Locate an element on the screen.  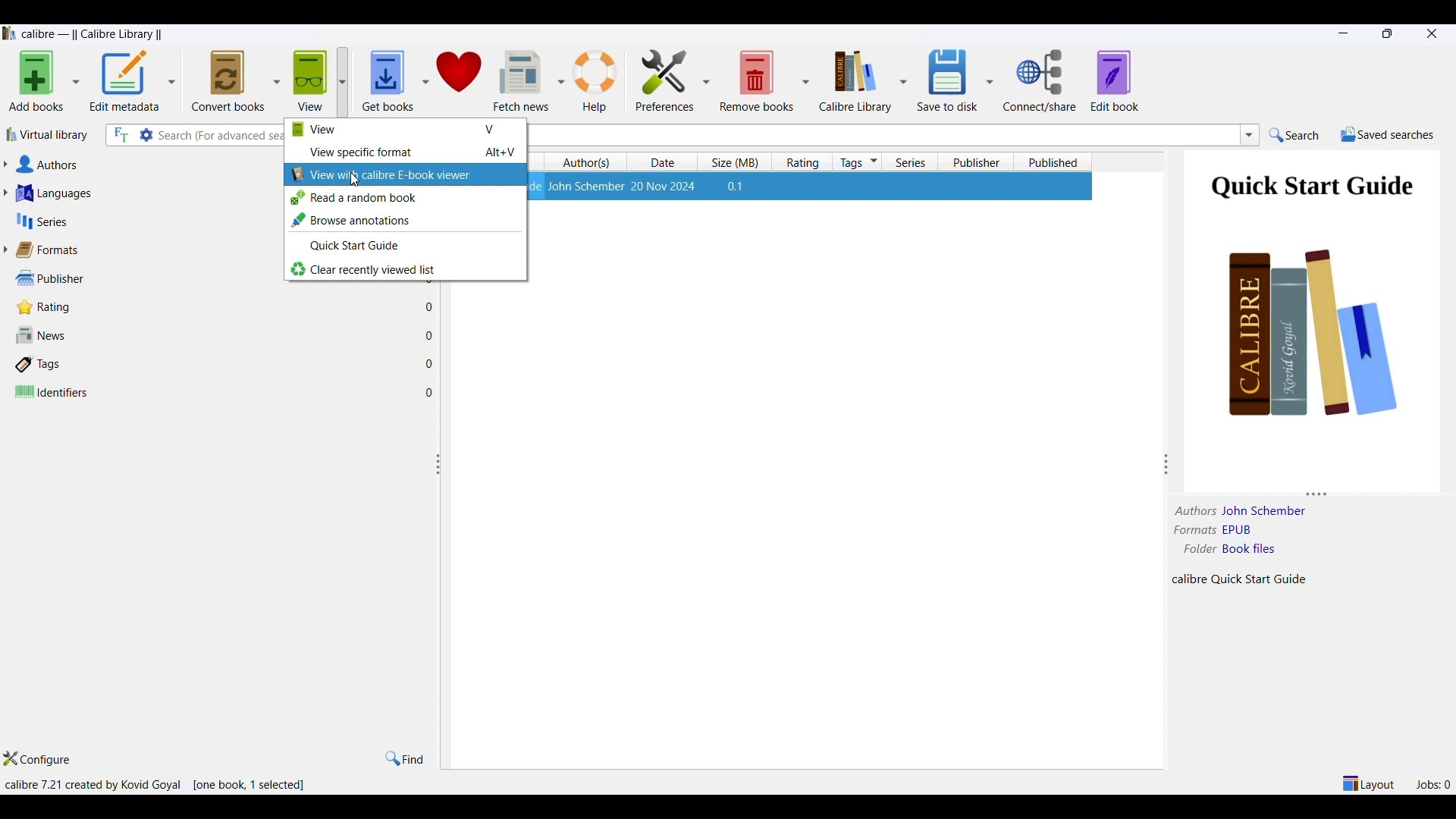
calibre library options dropdown button is located at coordinates (902, 81).